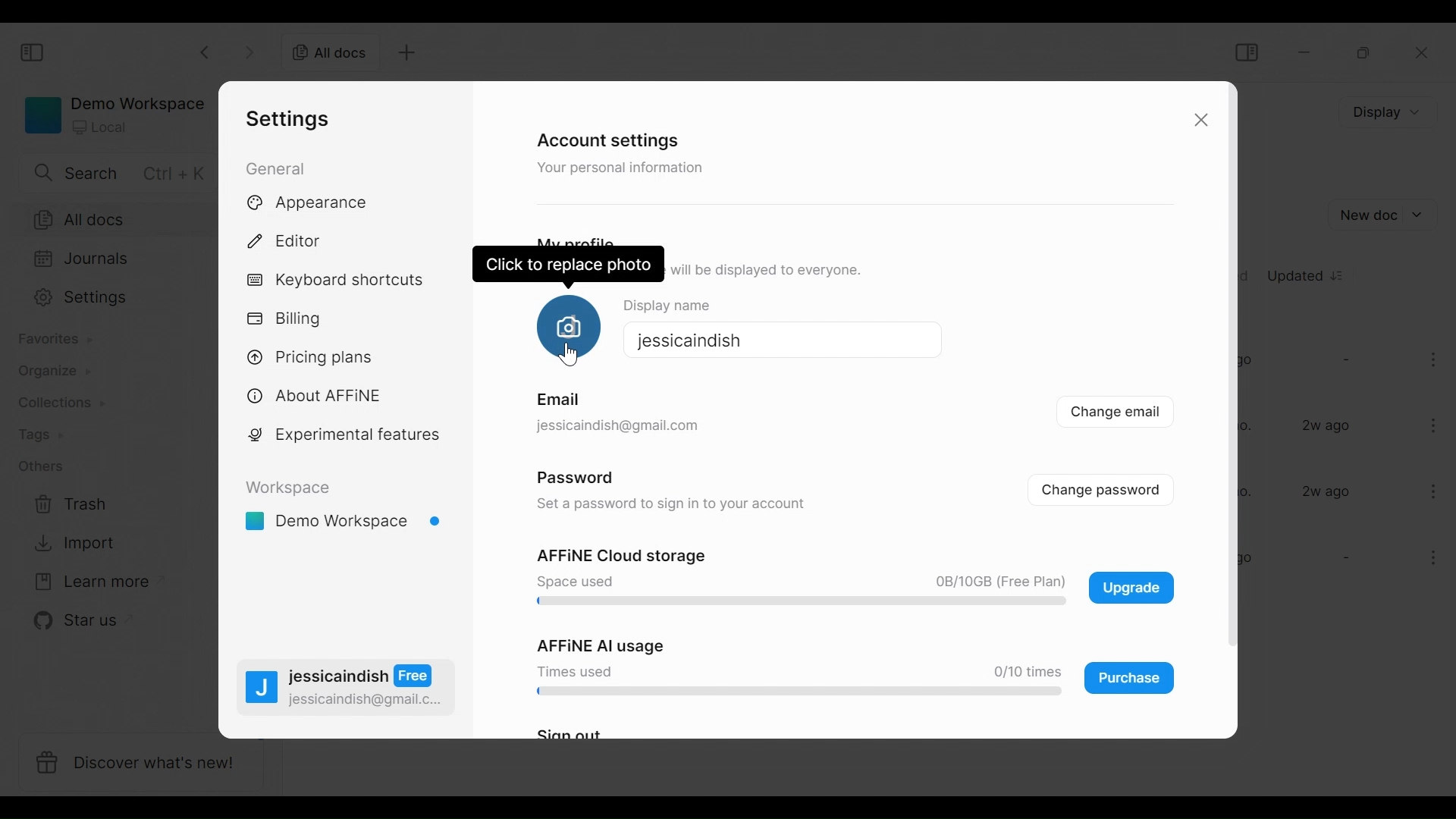 Image resolution: width=1456 pixels, height=819 pixels. I want to click on Pricing plans, so click(320, 357).